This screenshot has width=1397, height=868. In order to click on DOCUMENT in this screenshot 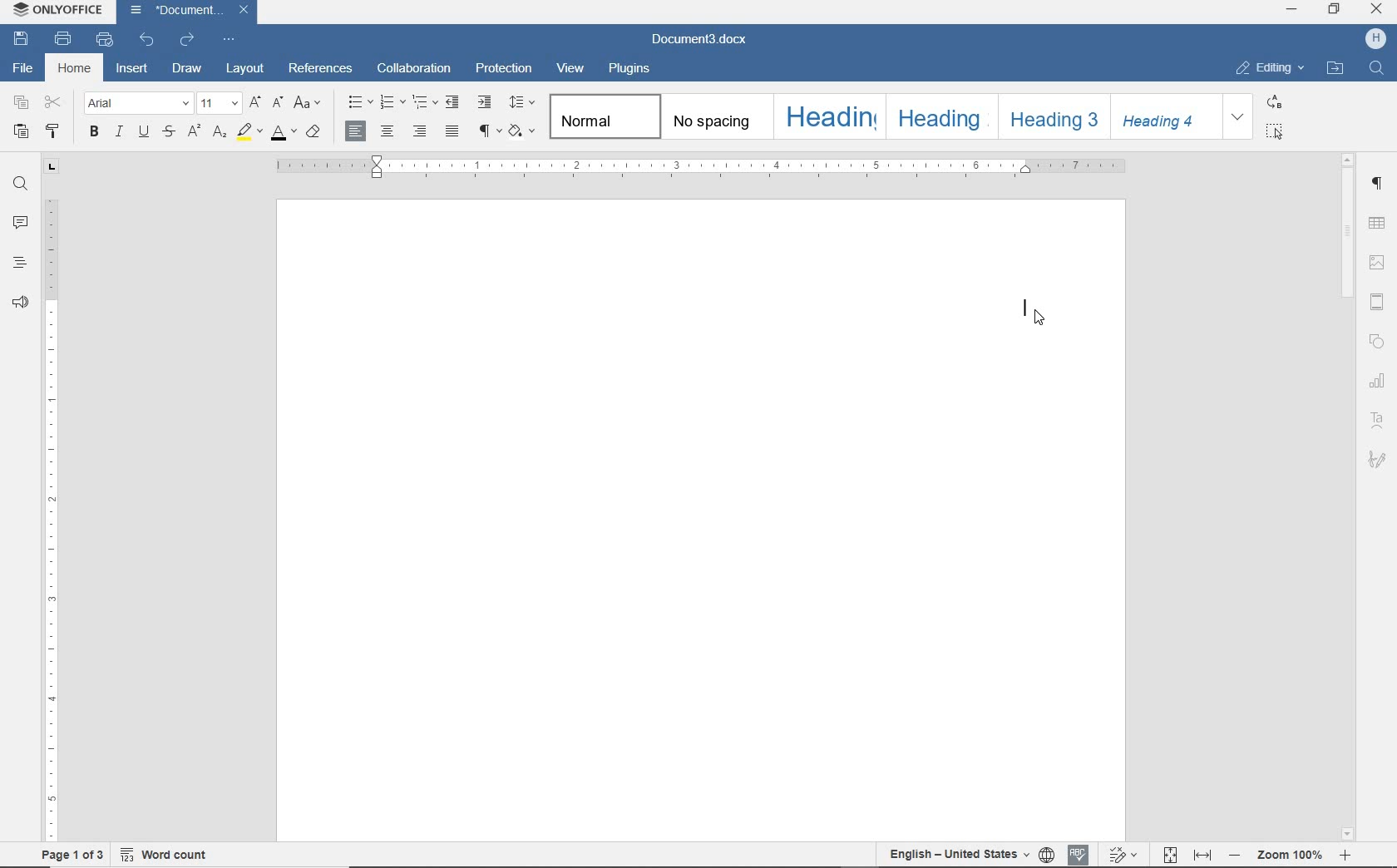, I will do `click(191, 12)`.